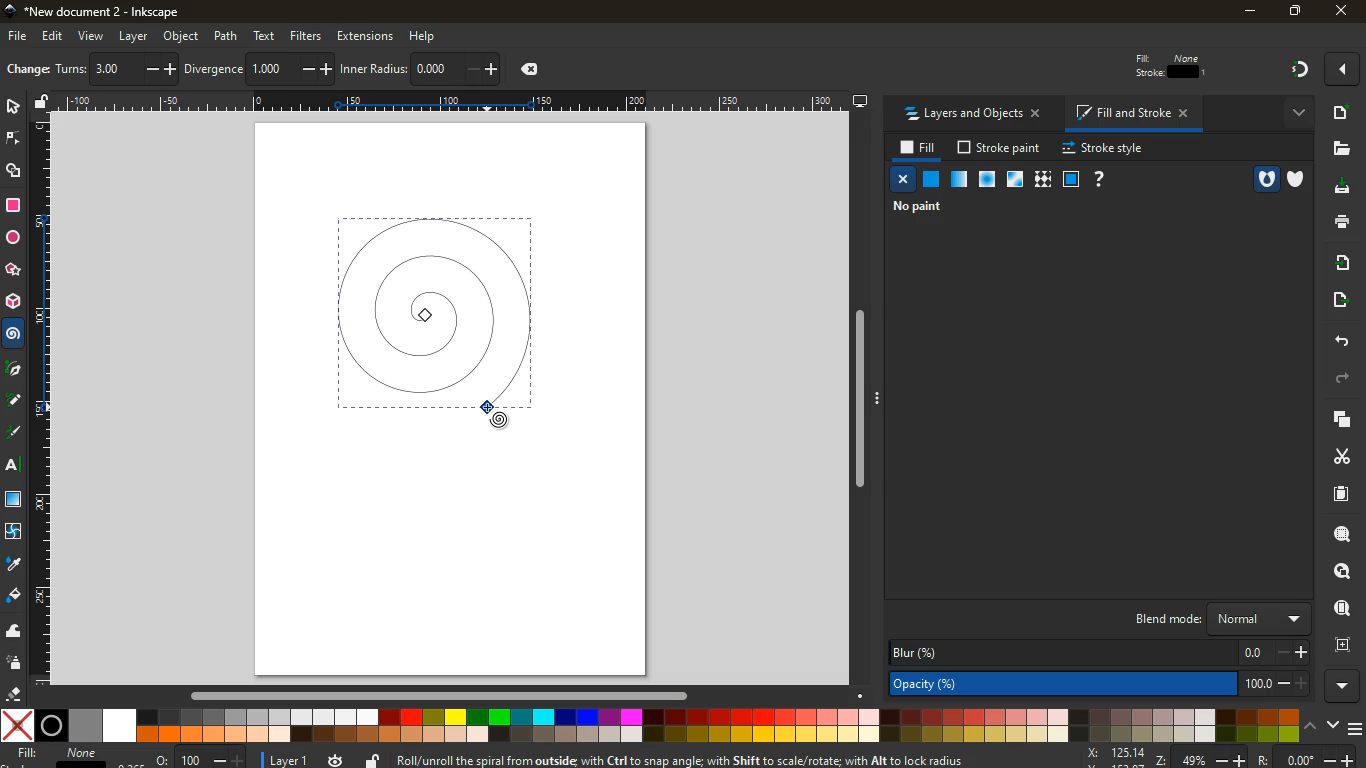 This screenshot has width=1366, height=768. I want to click on file, so click(1340, 150).